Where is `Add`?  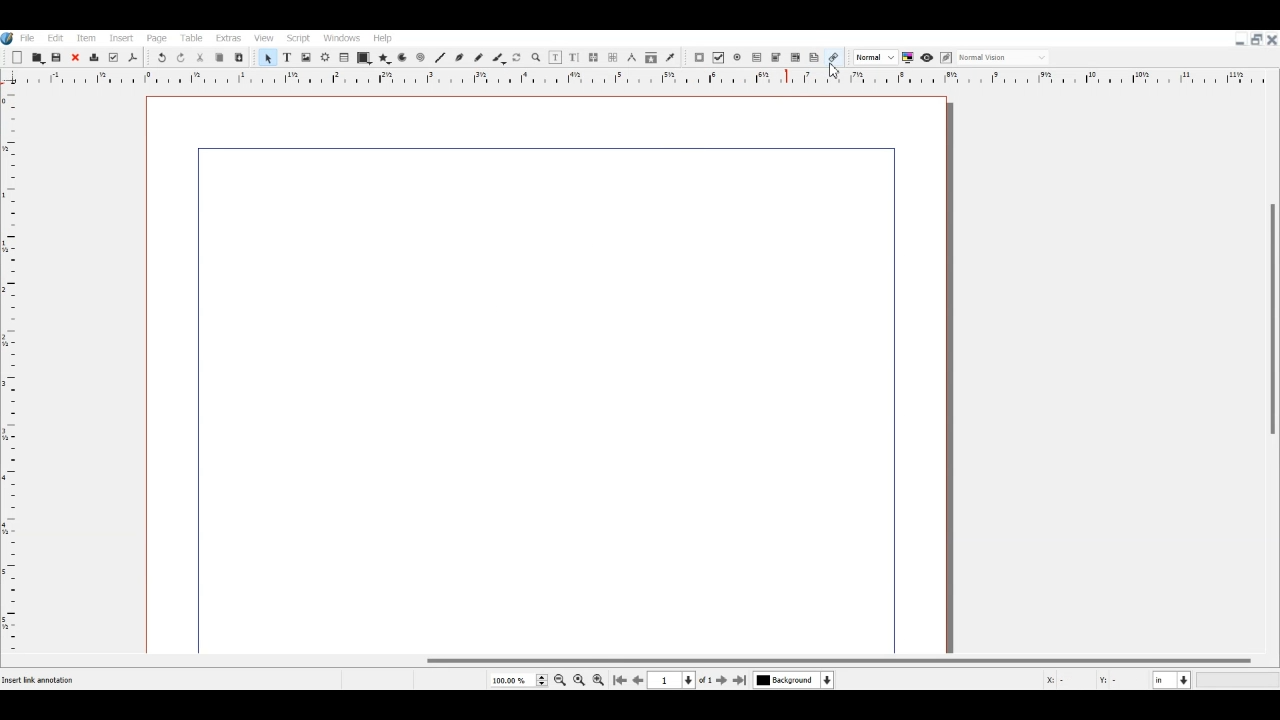 Add is located at coordinates (17, 58).